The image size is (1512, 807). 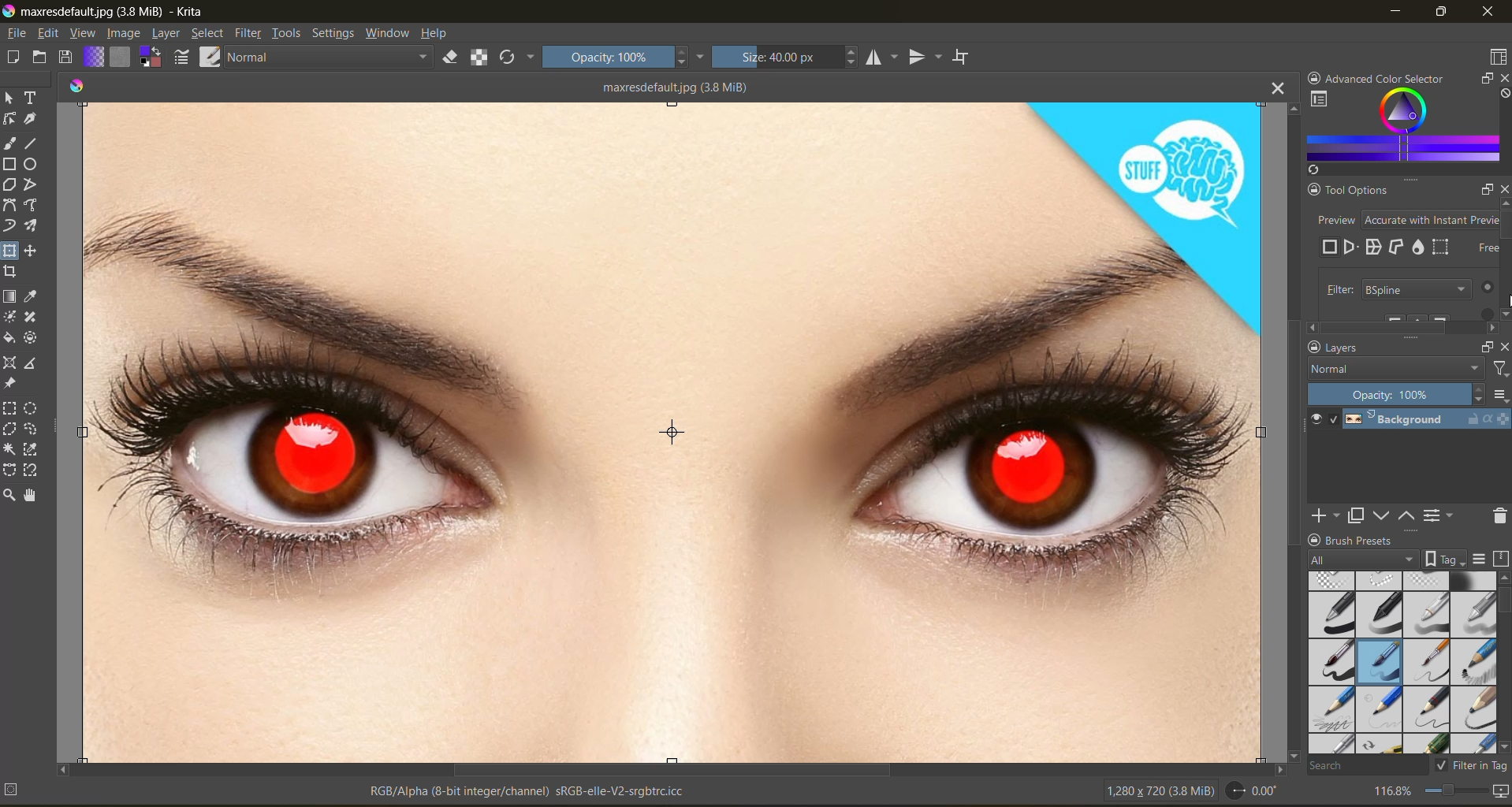 I want to click on opacity, so click(x=622, y=59).